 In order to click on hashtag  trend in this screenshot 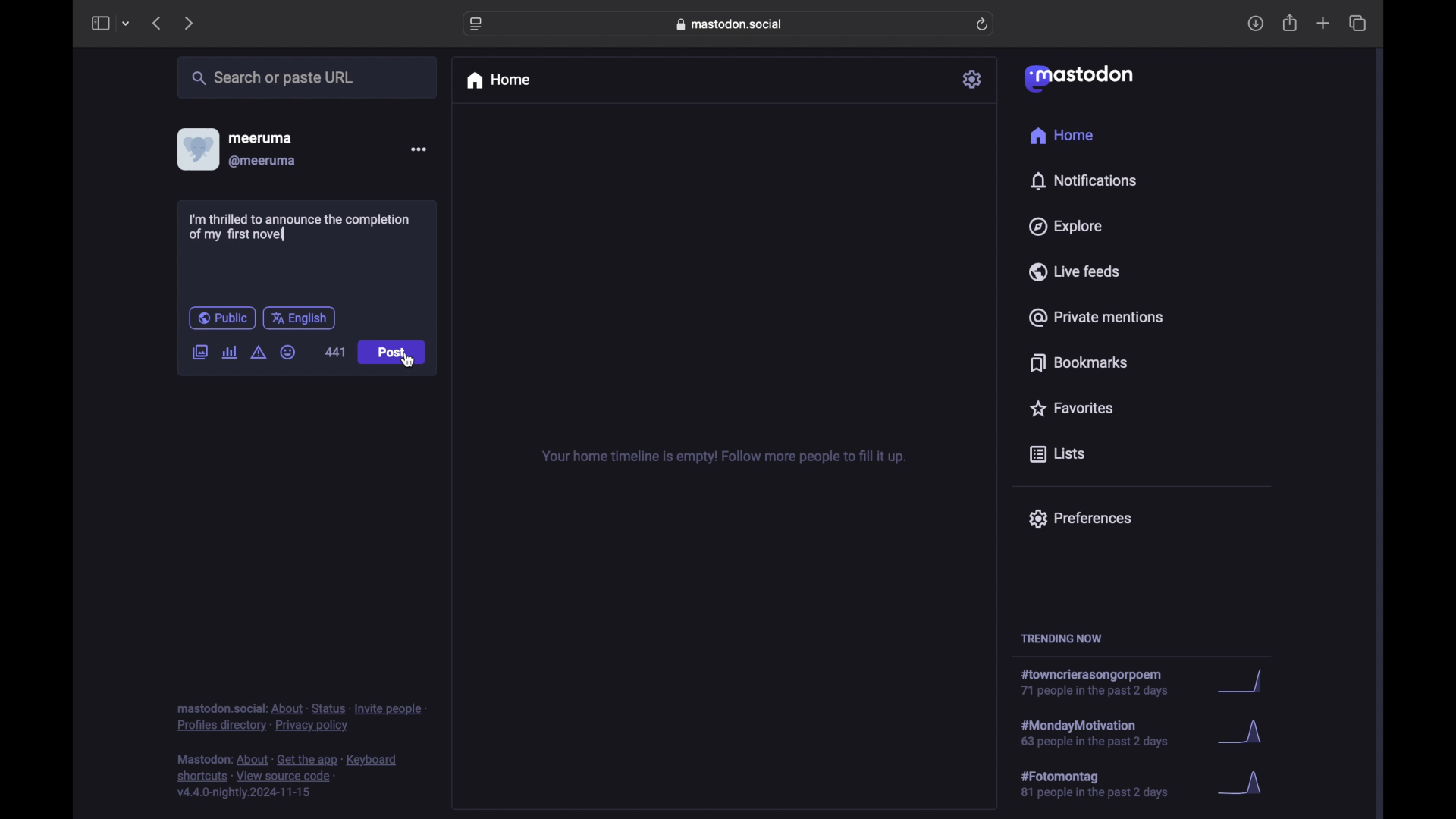, I will do `click(1109, 732)`.